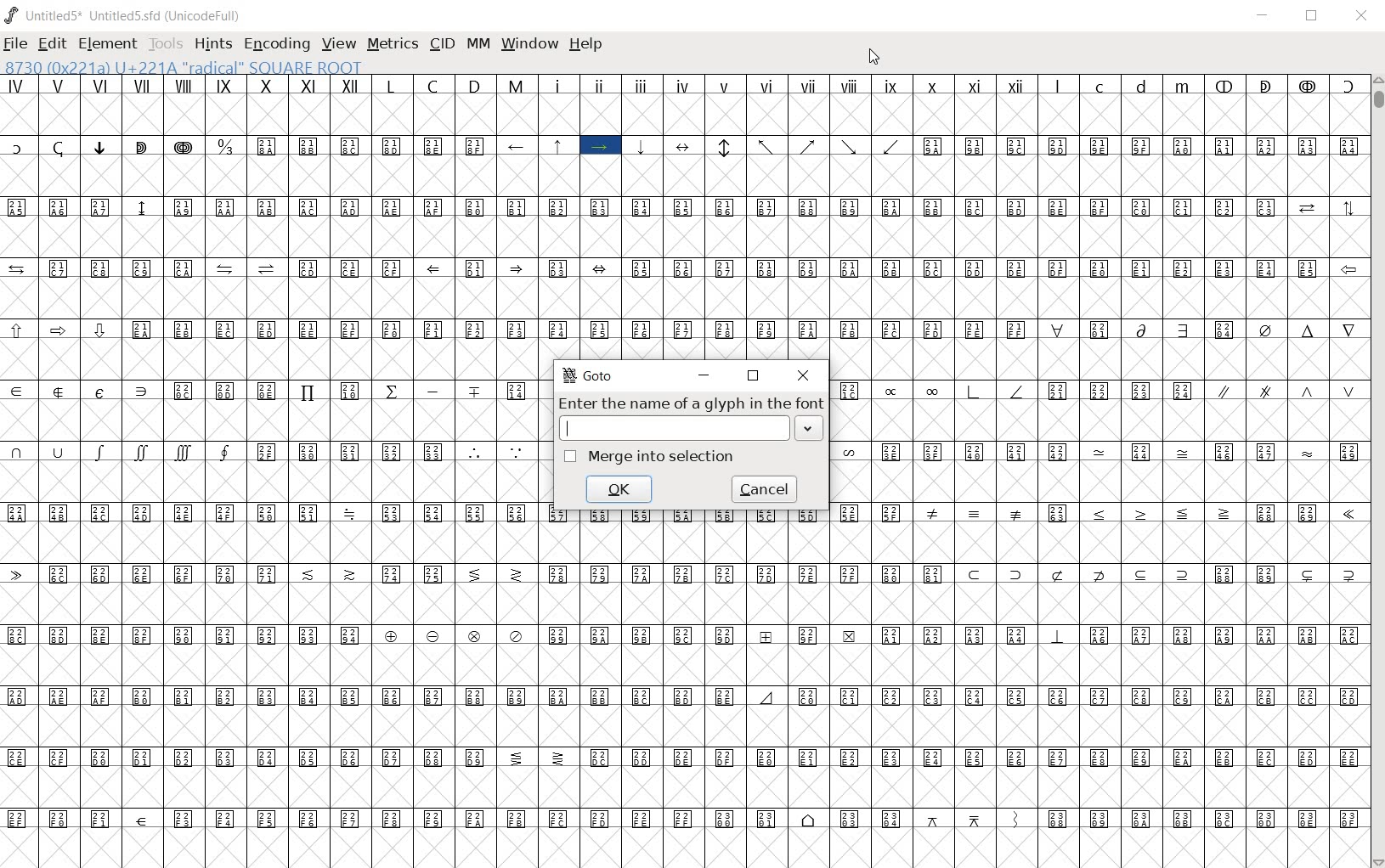 This screenshot has height=868, width=1385. Describe the element at coordinates (127, 15) in the screenshot. I see `Untitled5* Untitled5.sfd (UnicodeFull)` at that location.